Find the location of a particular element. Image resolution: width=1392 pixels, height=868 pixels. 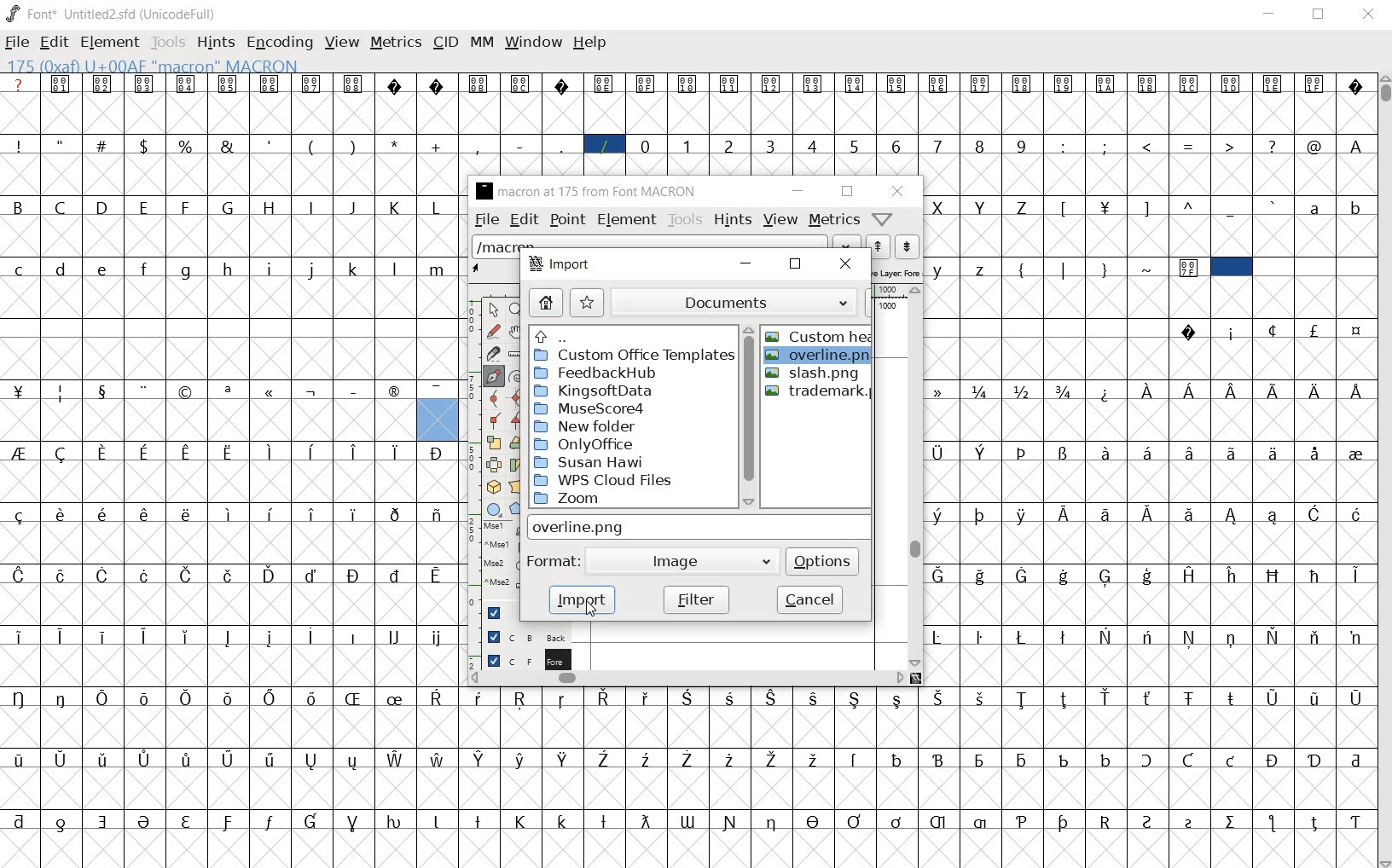

g is located at coordinates (188, 269).